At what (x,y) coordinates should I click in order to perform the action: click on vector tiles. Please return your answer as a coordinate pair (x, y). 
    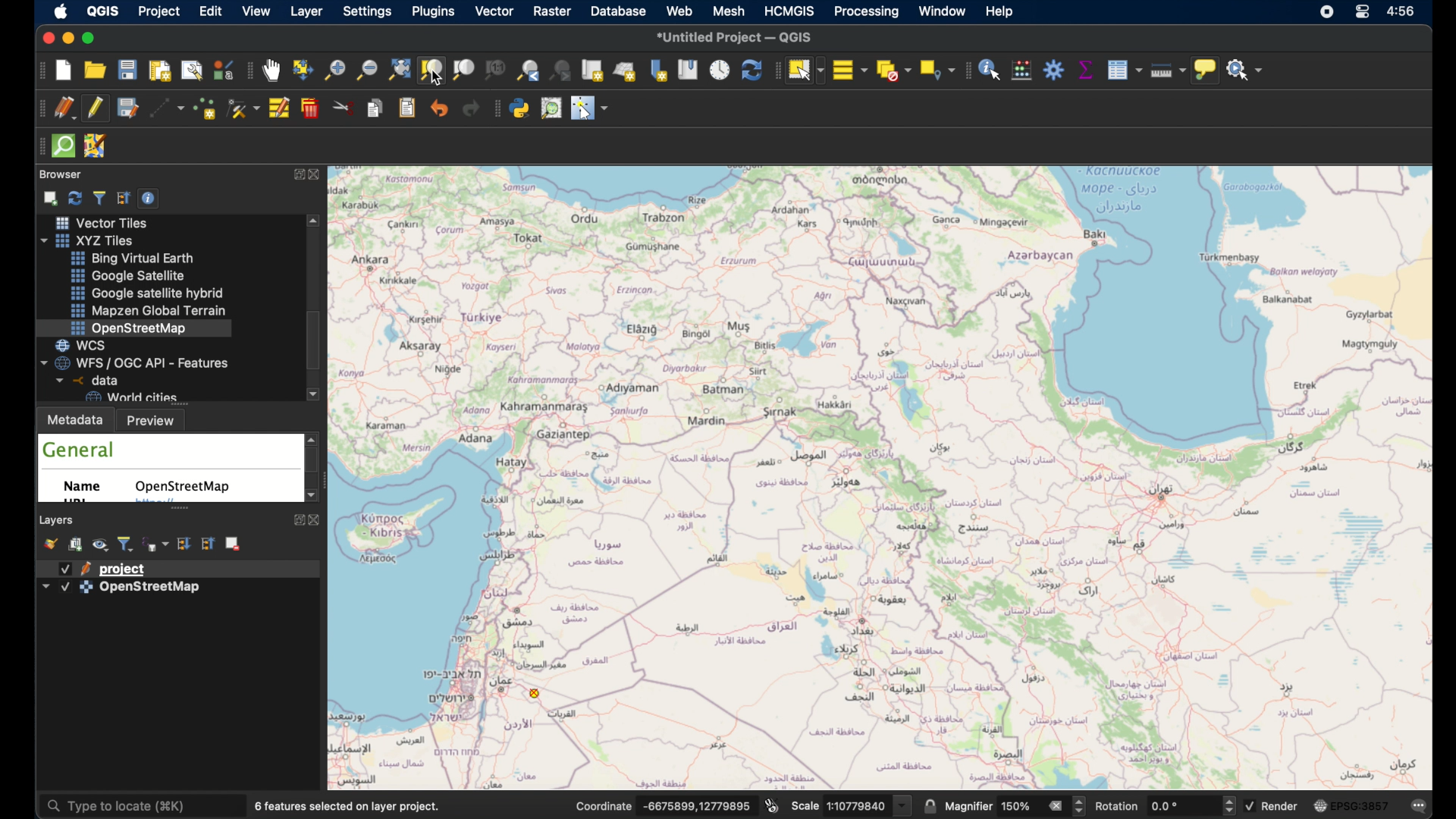
    Looking at the image, I should click on (99, 222).